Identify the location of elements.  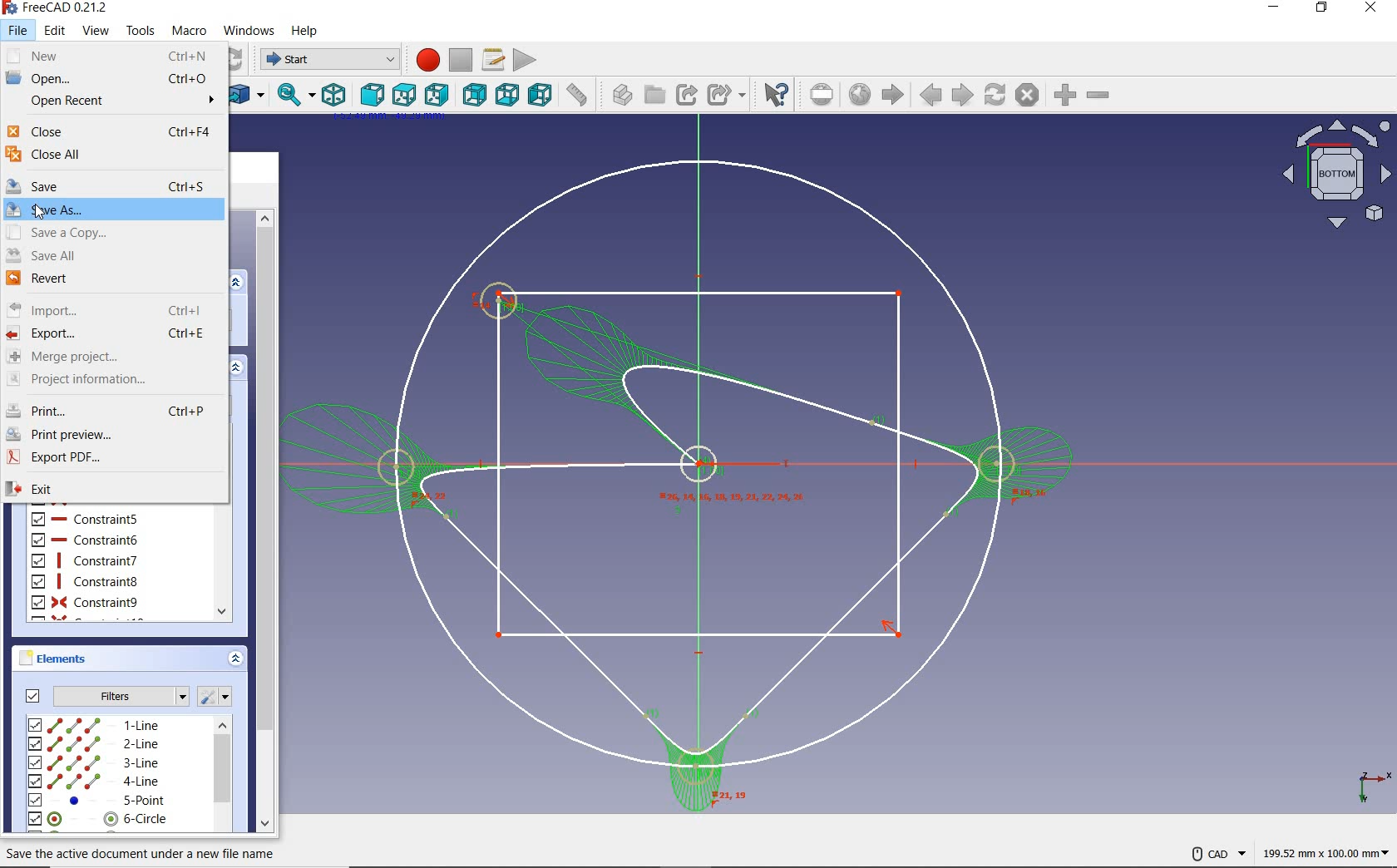
(77, 658).